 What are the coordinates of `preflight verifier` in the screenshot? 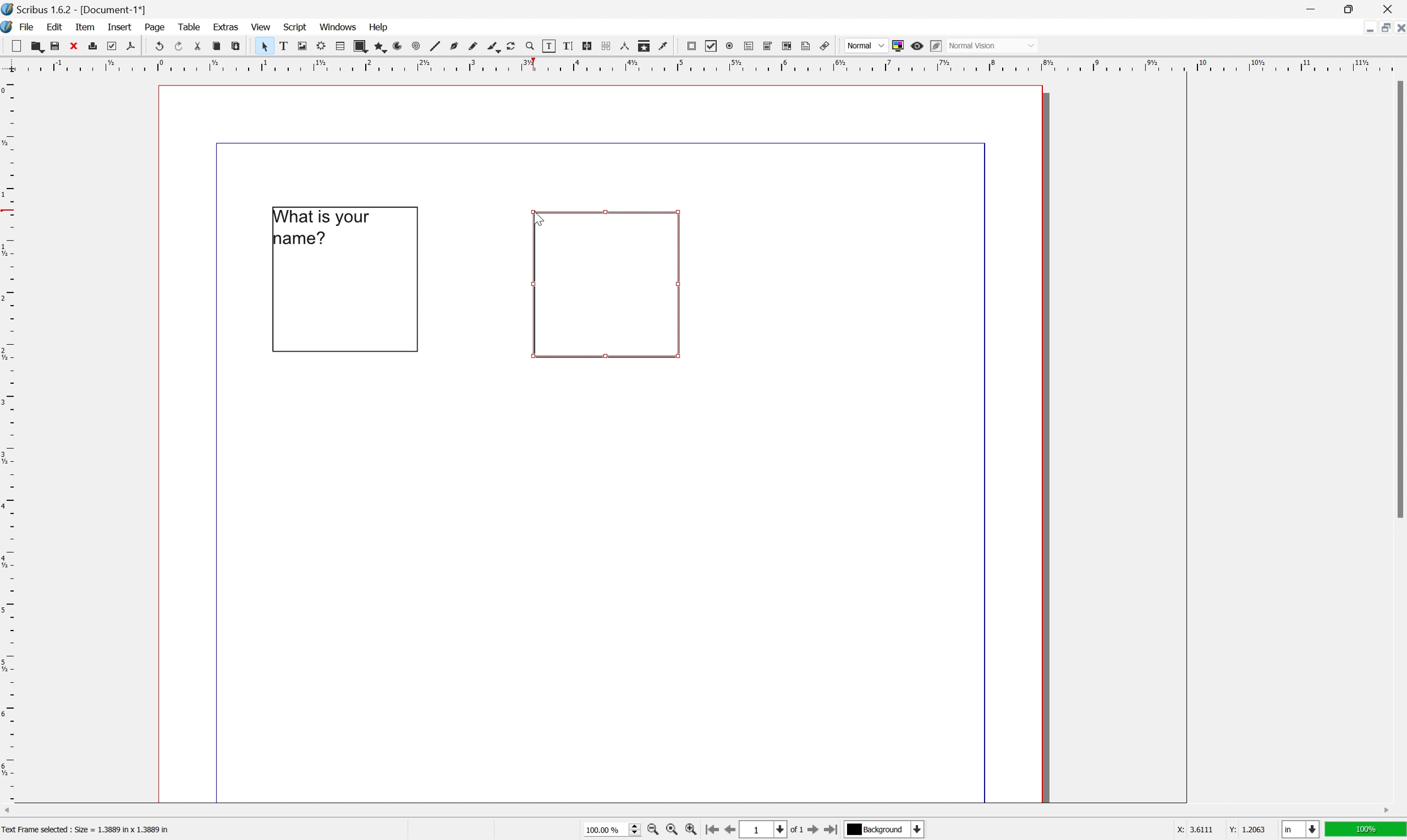 It's located at (112, 45).